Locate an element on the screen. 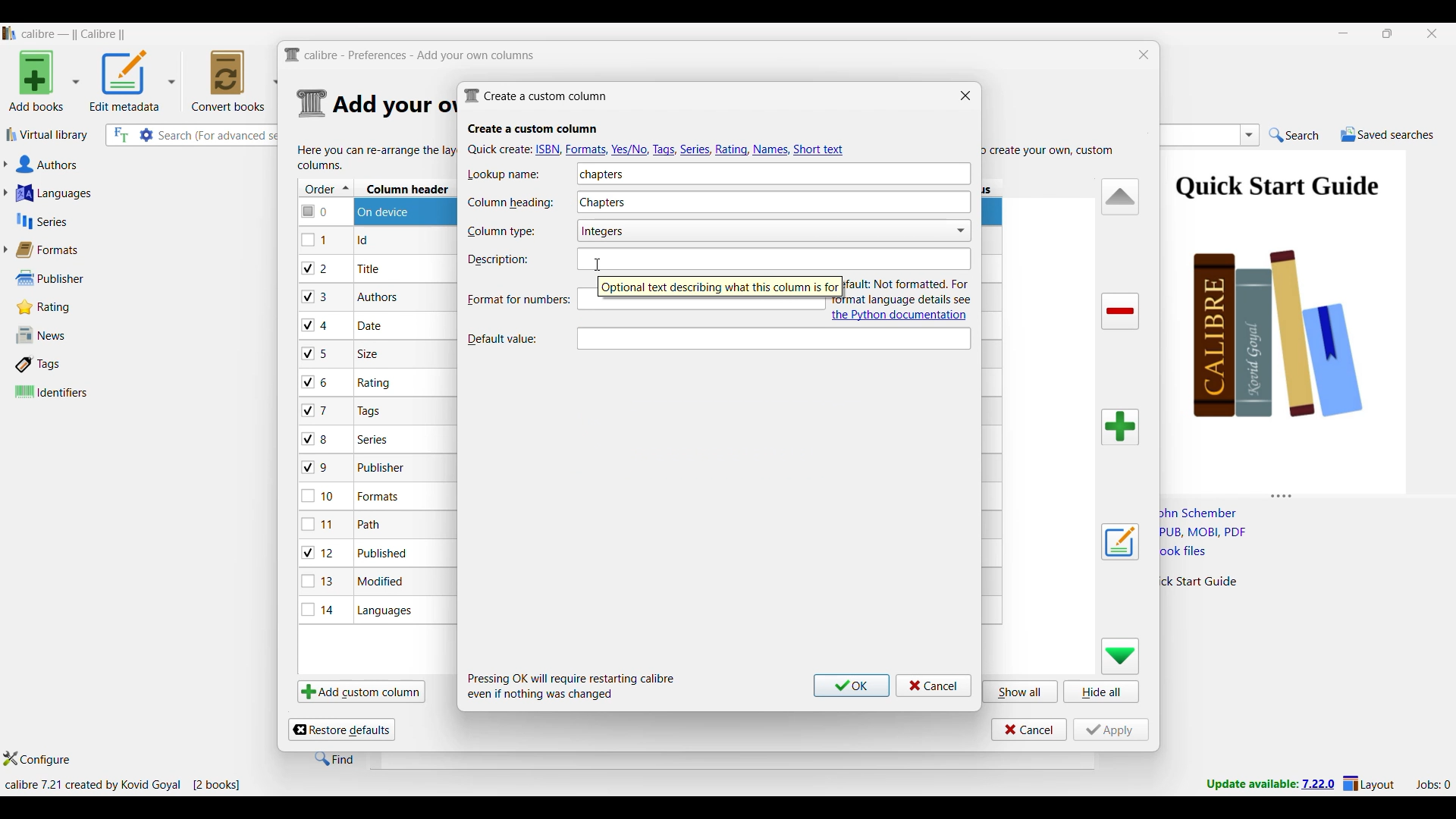 The image size is (1456, 819). Order column, current sorting is located at coordinates (326, 188).